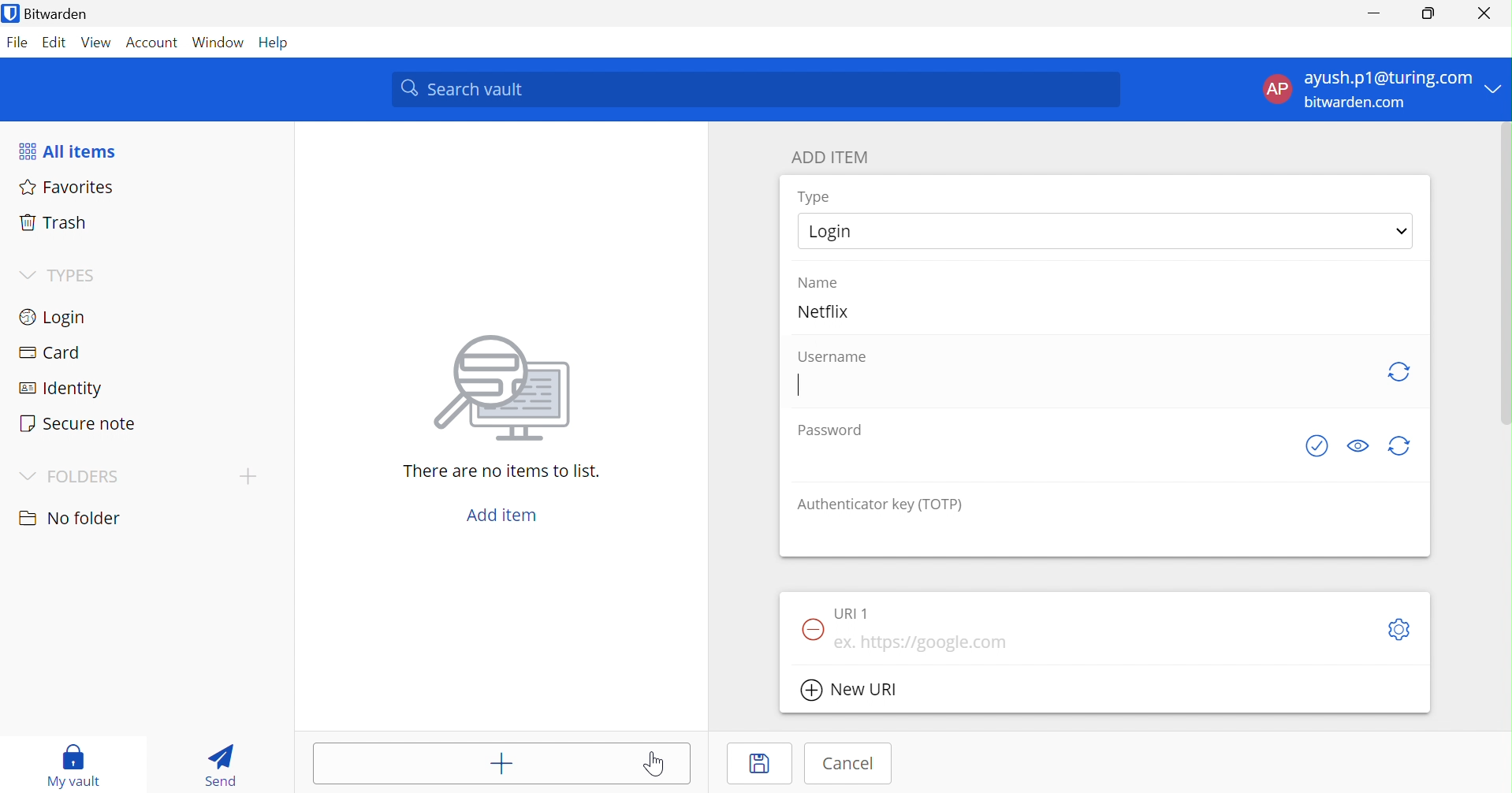 The height and width of the screenshot is (793, 1512). I want to click on No folder, so click(70, 518).